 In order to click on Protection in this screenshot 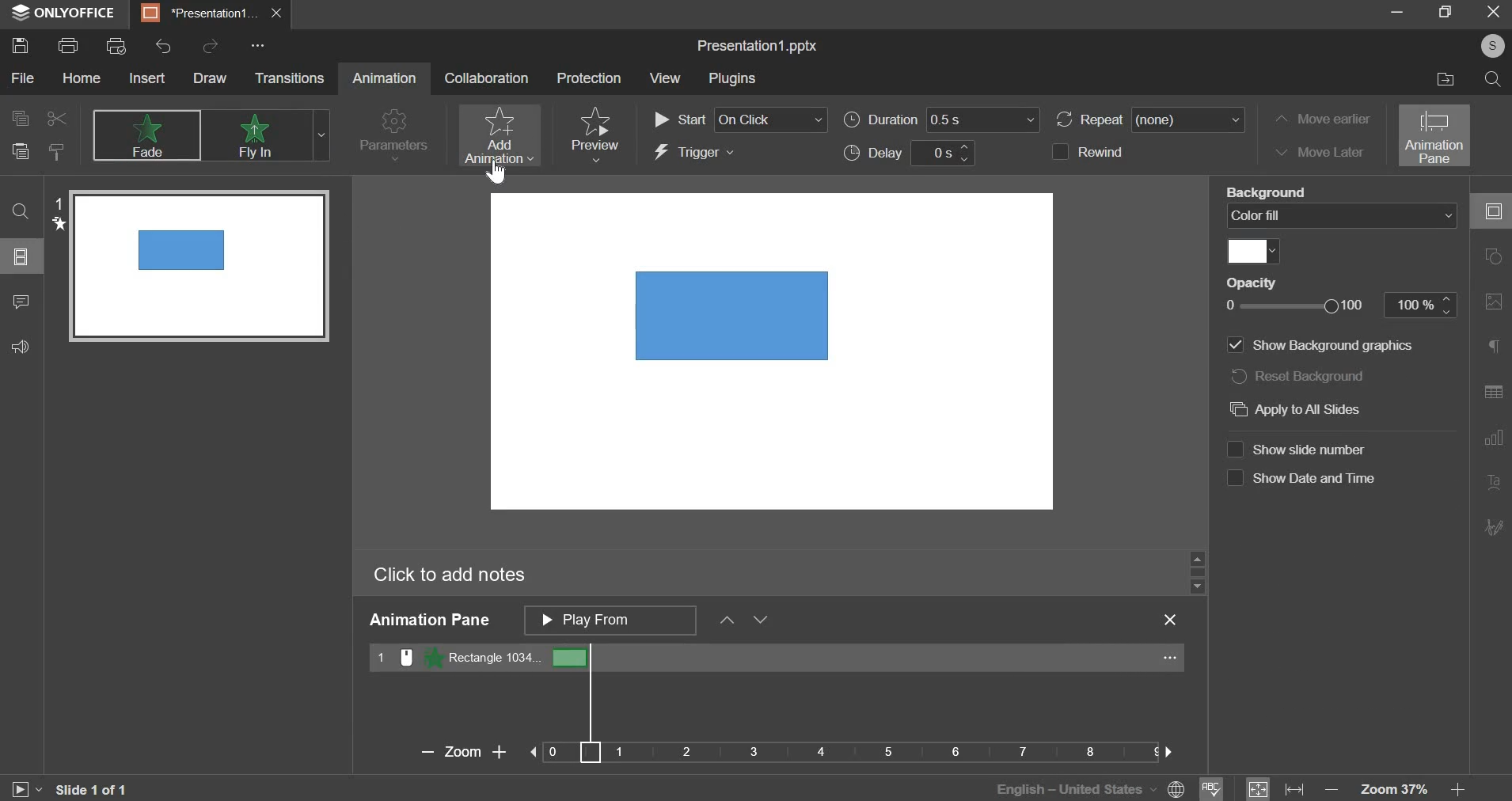, I will do `click(590, 78)`.